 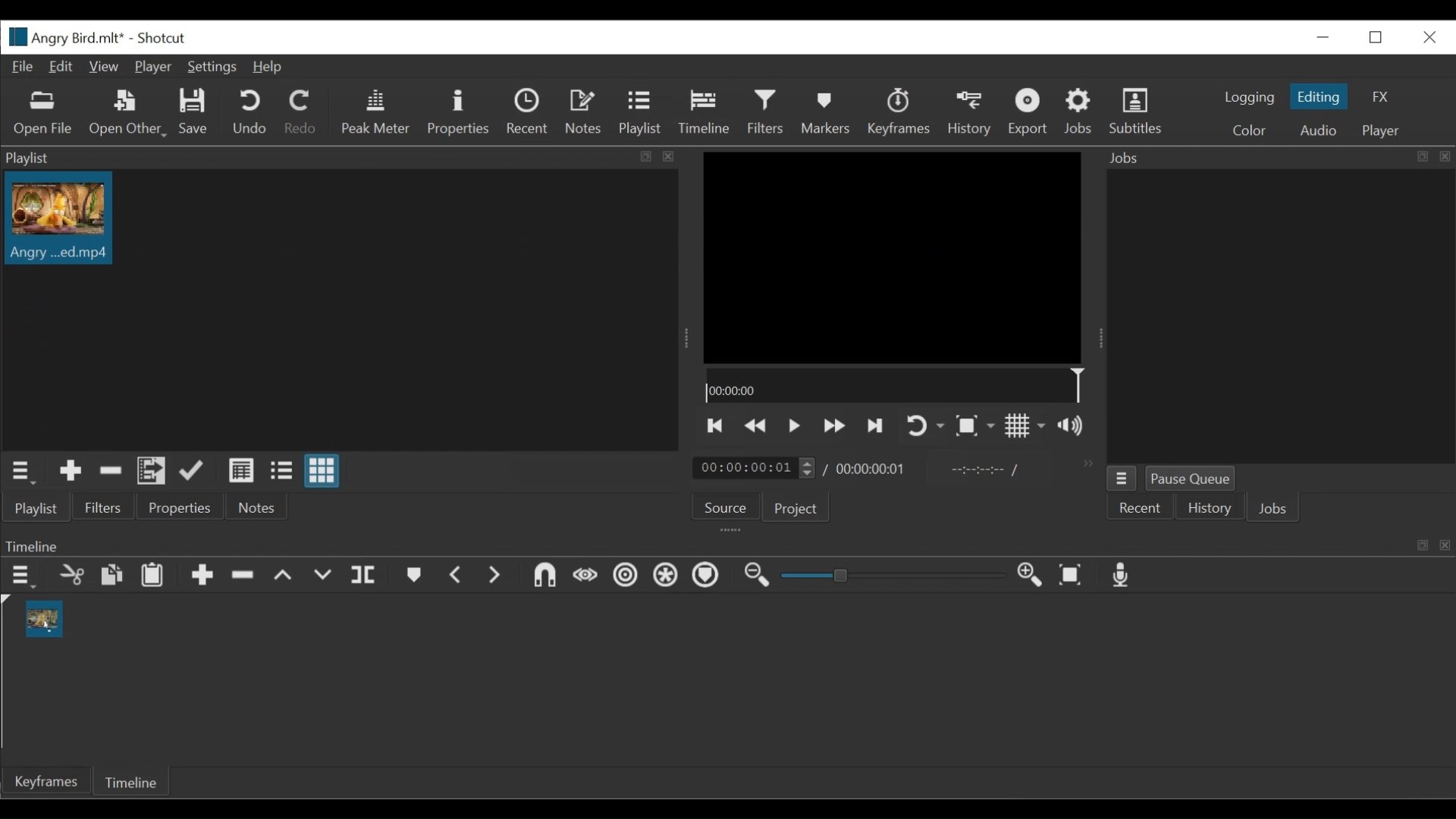 I want to click on Show volume control, so click(x=1073, y=427).